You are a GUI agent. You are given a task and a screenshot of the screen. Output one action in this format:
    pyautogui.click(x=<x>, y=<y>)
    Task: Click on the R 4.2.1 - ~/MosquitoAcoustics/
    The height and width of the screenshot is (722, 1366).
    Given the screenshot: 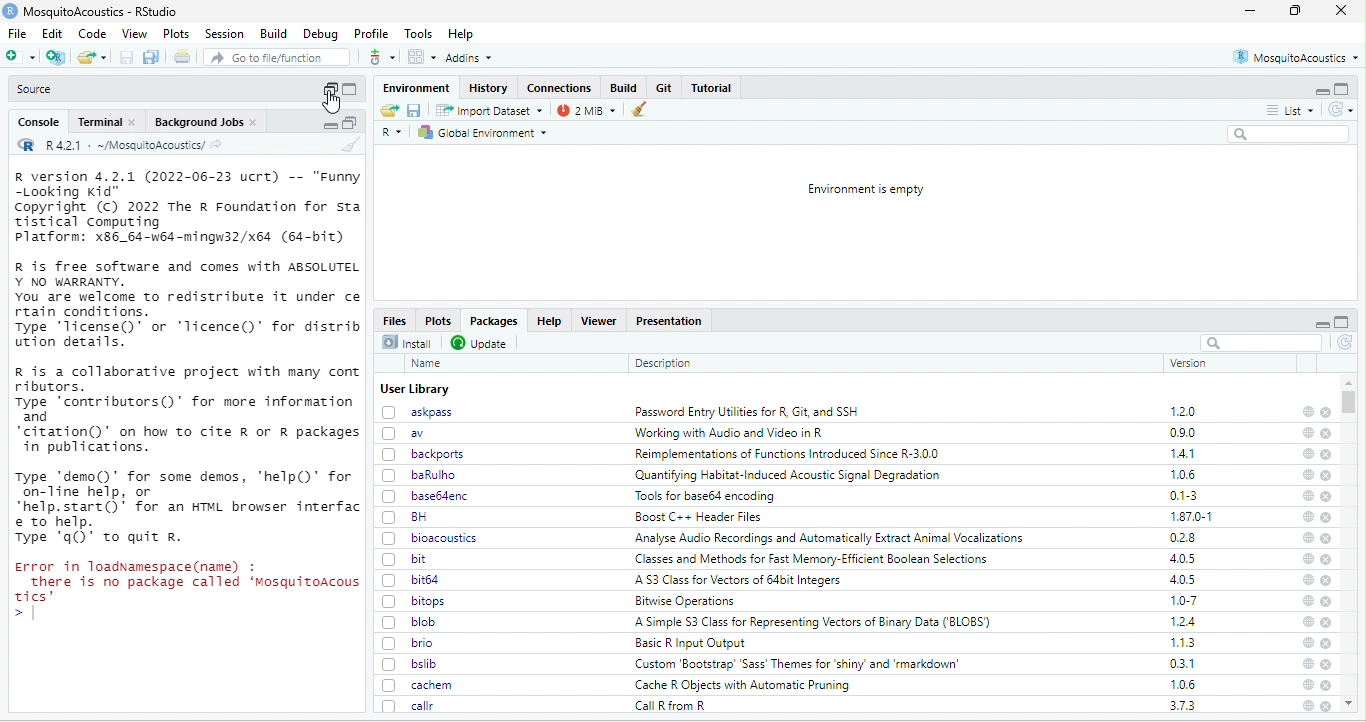 What is the action you would take?
    pyautogui.click(x=123, y=147)
    